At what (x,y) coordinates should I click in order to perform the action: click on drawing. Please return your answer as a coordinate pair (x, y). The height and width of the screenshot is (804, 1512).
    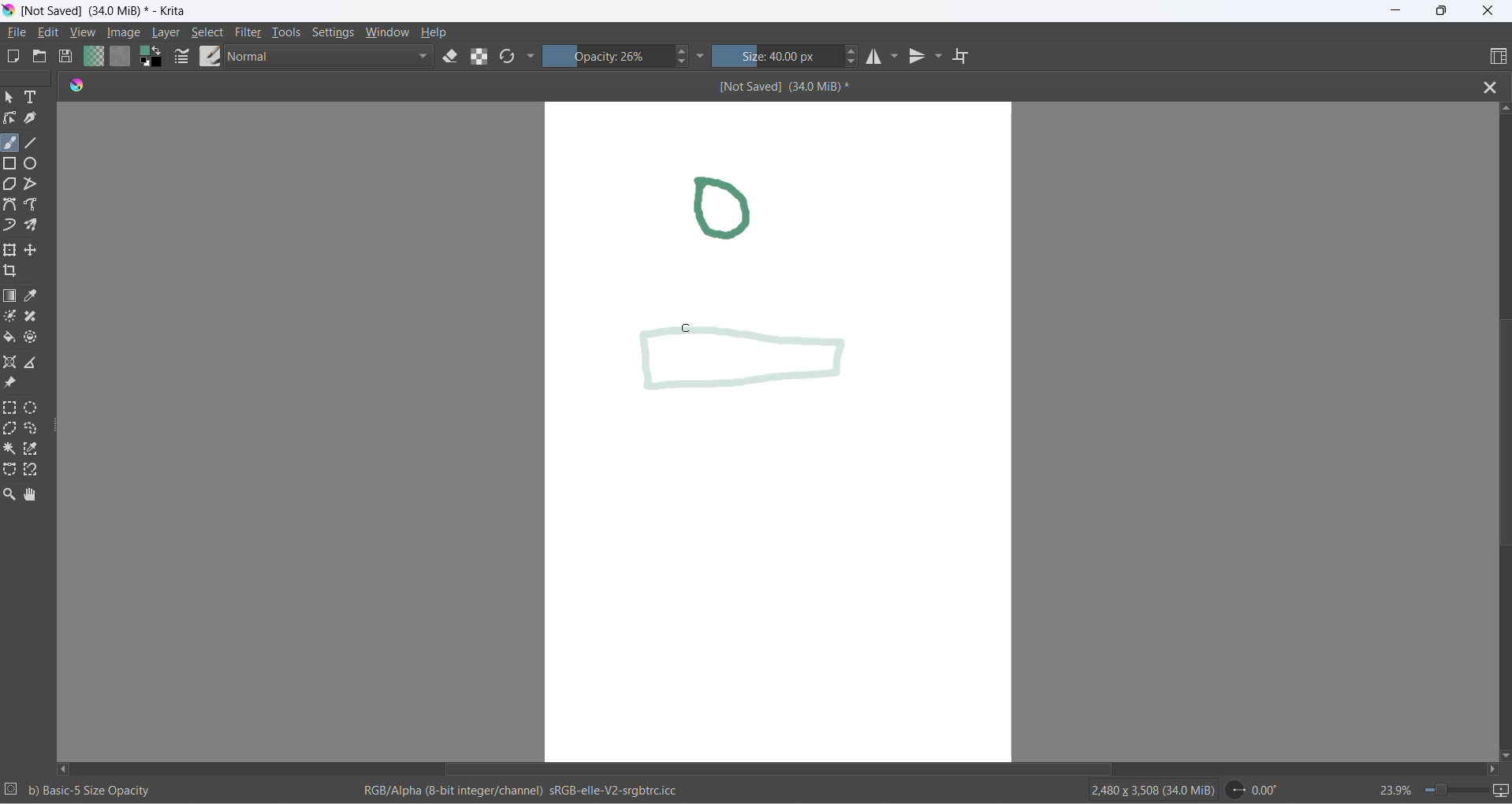
    Looking at the image, I should click on (738, 210).